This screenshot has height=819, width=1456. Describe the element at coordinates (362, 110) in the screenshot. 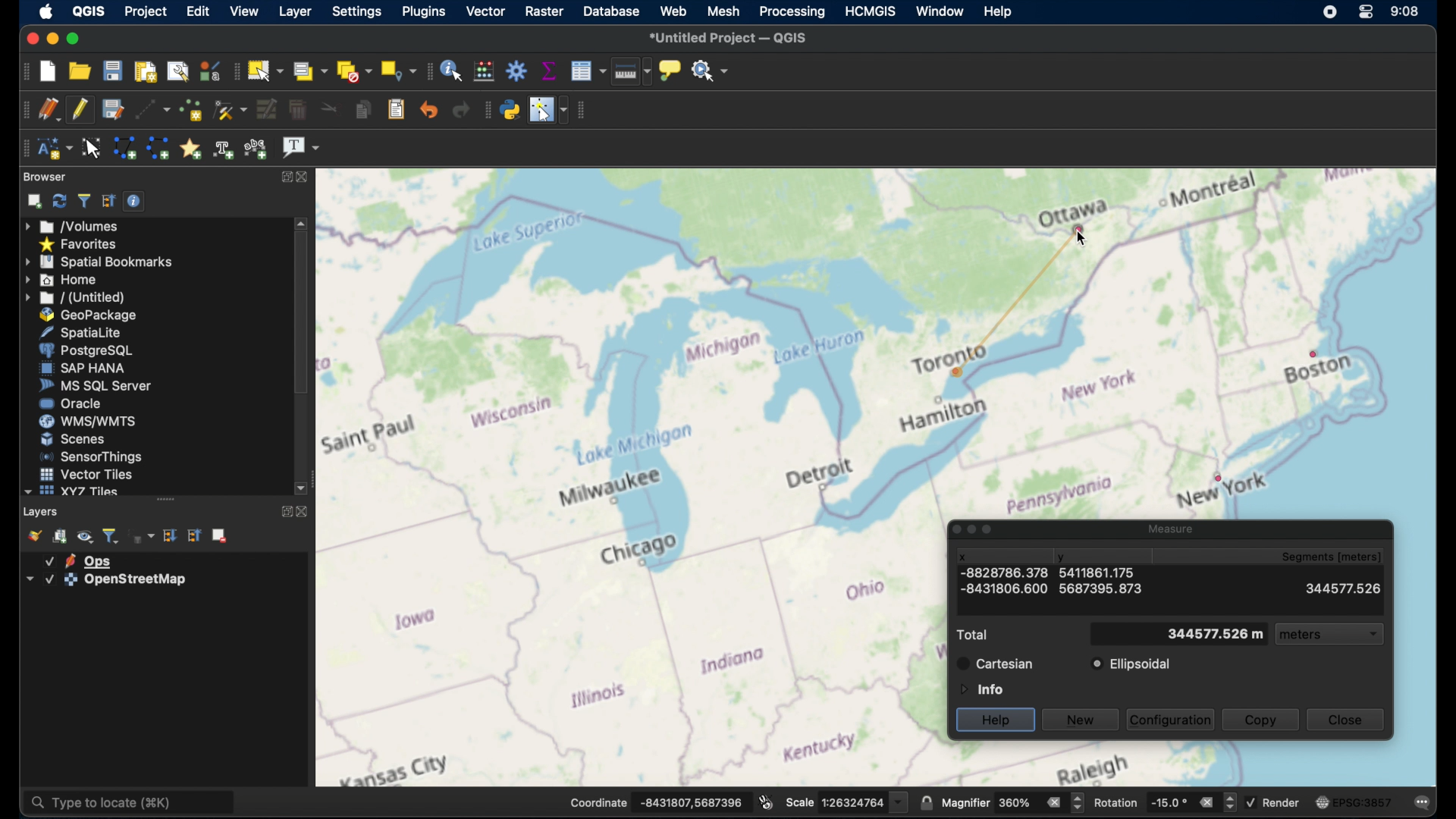

I see `copy features` at that location.